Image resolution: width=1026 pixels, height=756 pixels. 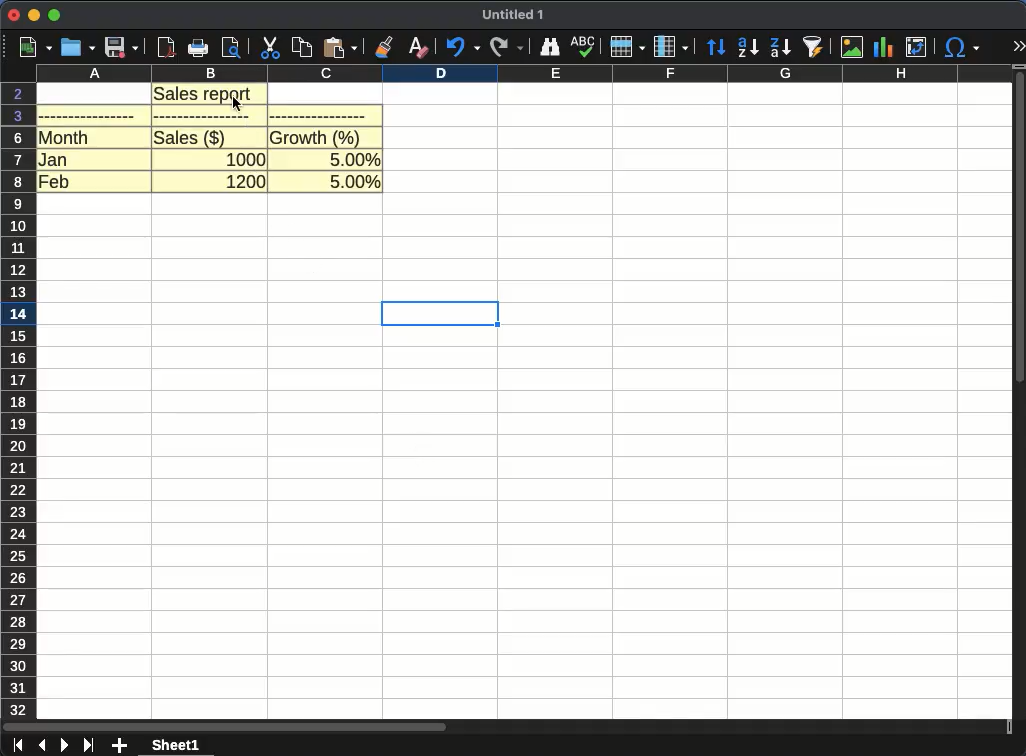 I want to click on spell check, so click(x=582, y=46).